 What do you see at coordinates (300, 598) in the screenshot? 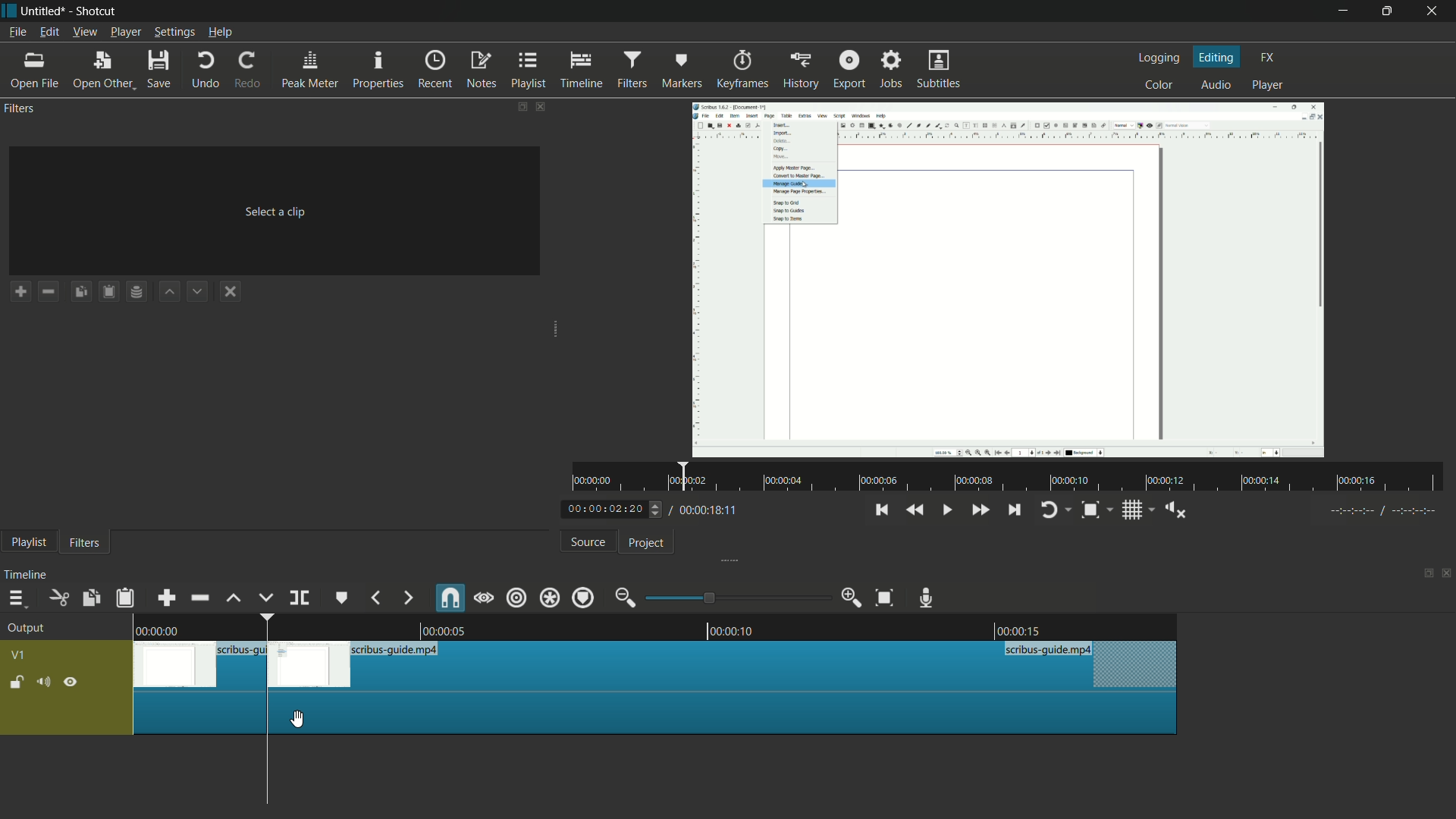
I see `split at playhead` at bounding box center [300, 598].